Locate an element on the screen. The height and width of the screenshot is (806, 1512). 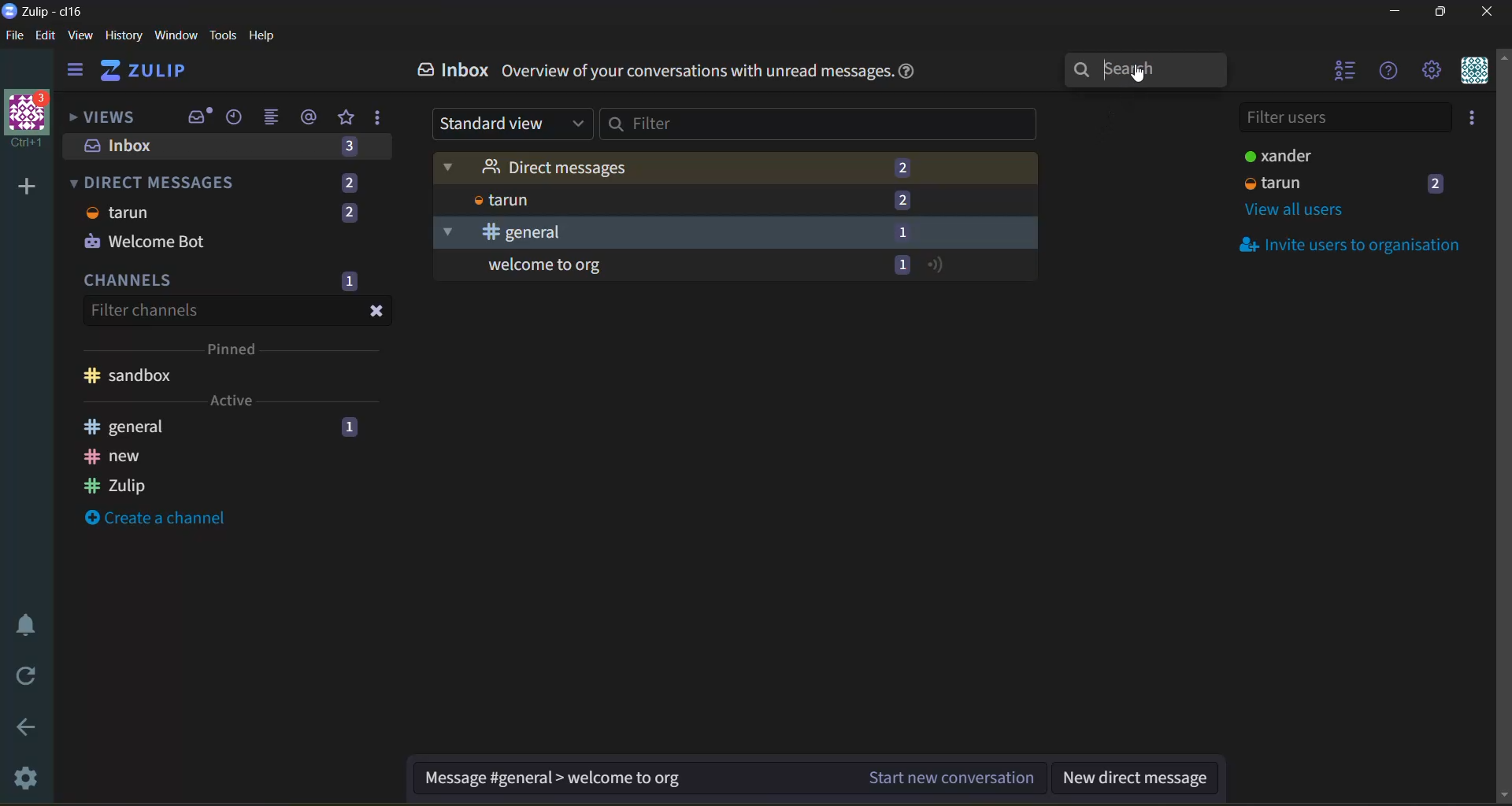
tools is located at coordinates (223, 35).